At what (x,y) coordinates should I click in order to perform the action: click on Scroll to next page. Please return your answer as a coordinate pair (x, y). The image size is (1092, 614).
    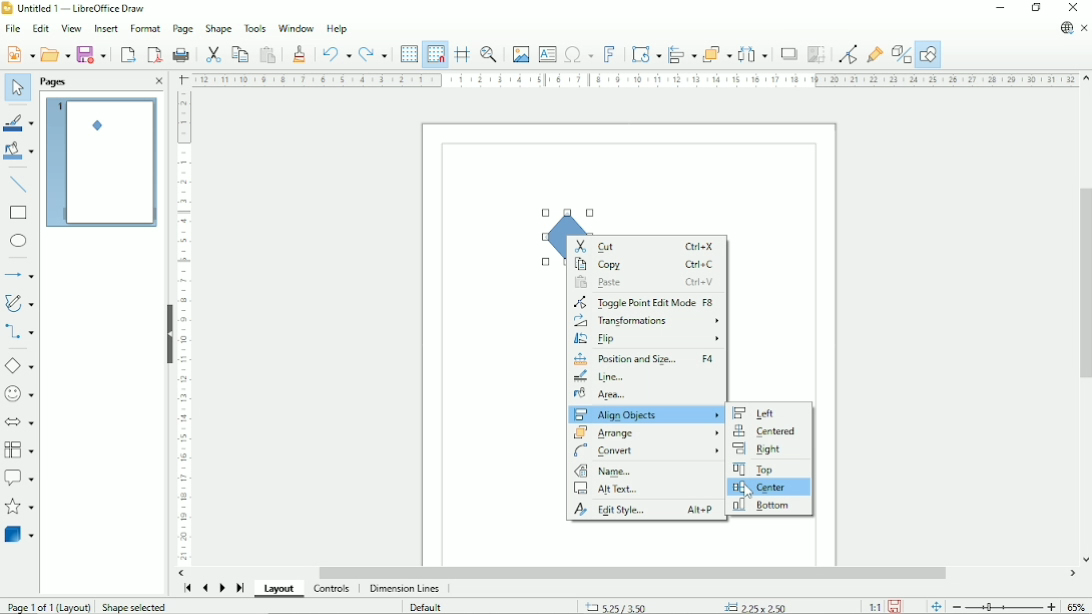
    Looking at the image, I should click on (221, 587).